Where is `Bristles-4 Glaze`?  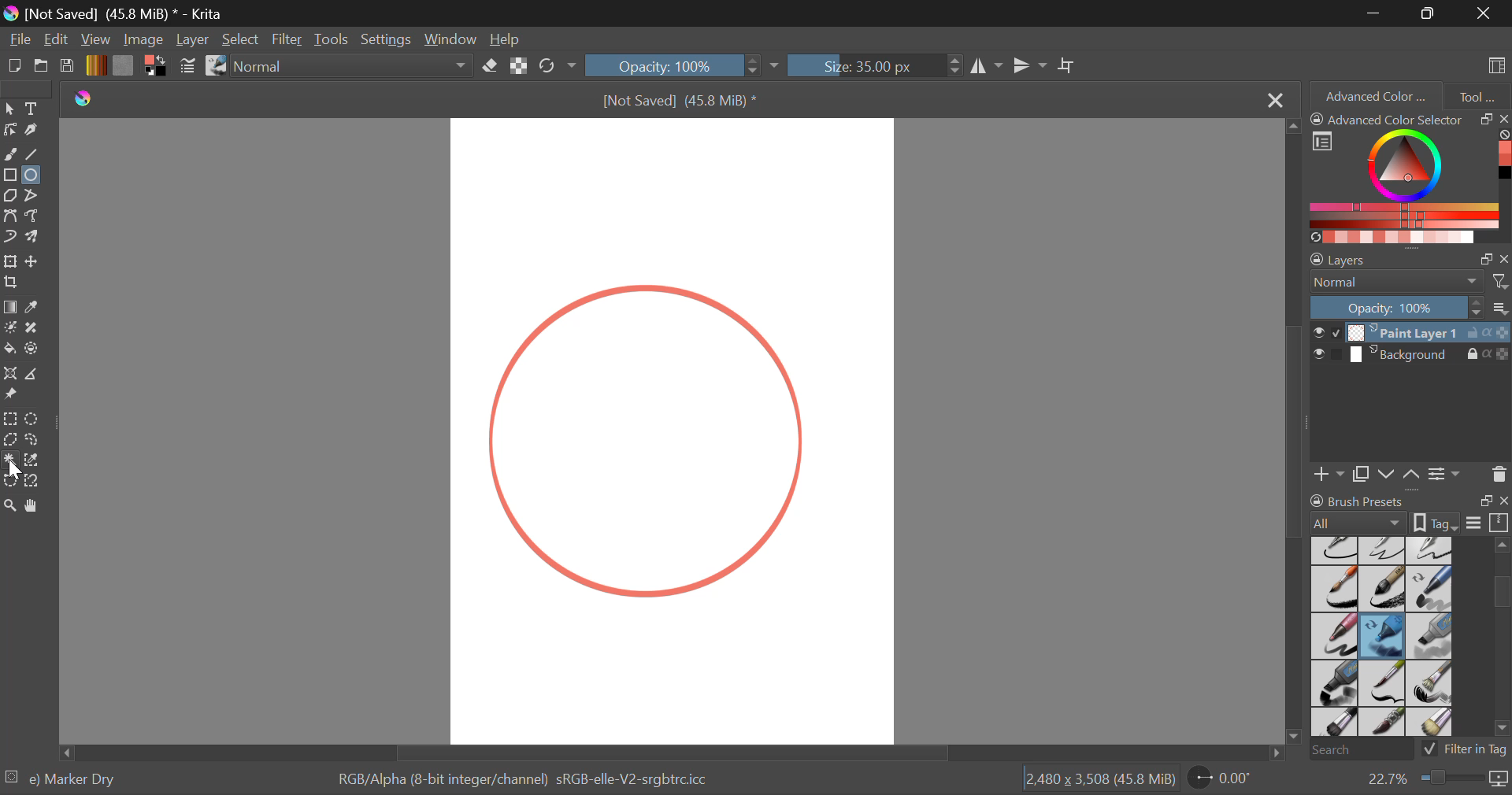 Bristles-4 Glaze is located at coordinates (1384, 723).